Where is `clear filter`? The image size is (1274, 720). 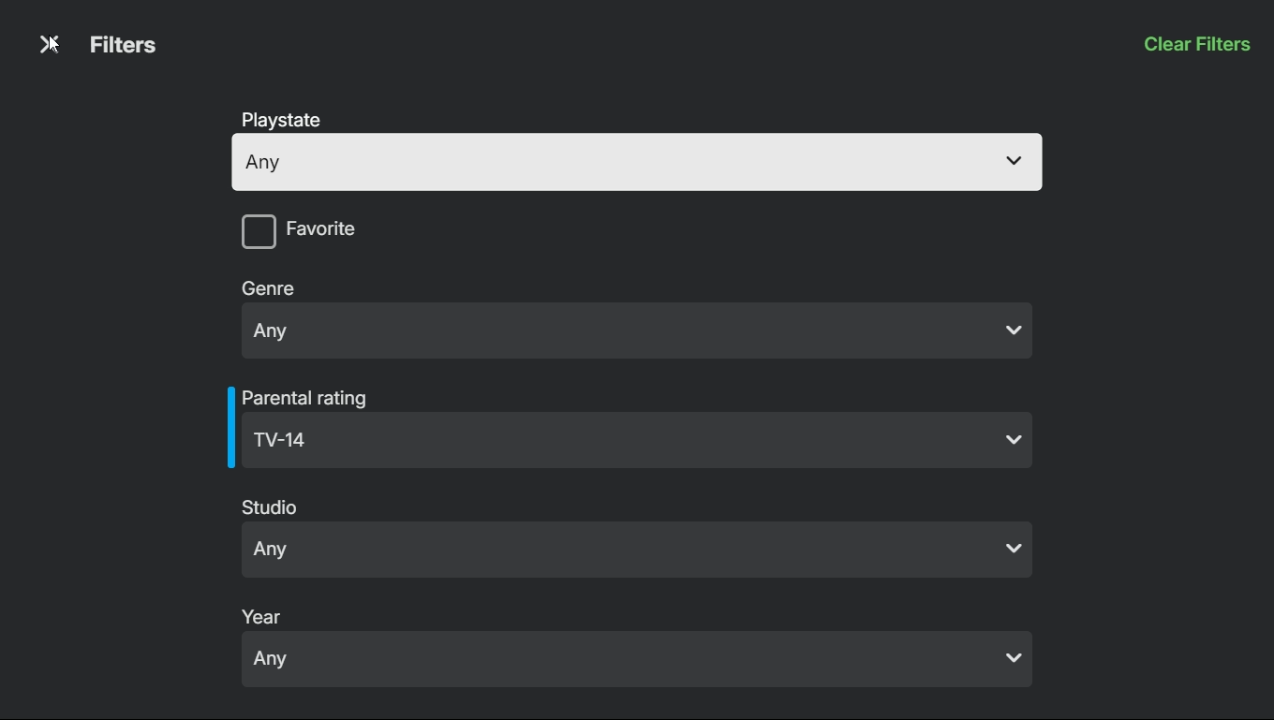
clear filter is located at coordinates (1196, 46).